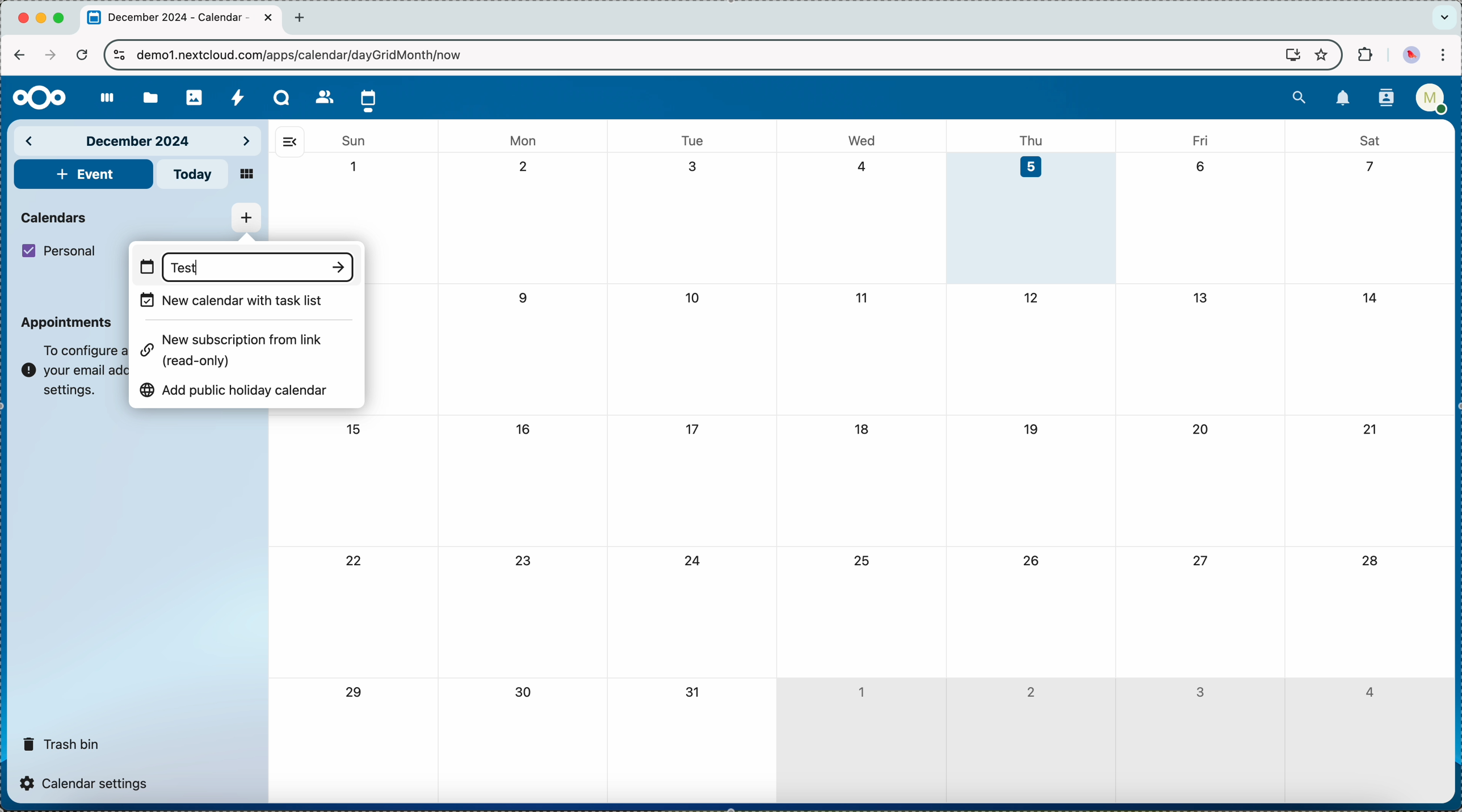 The width and height of the screenshot is (1462, 812). Describe the element at coordinates (19, 54) in the screenshot. I see `navigate back` at that location.